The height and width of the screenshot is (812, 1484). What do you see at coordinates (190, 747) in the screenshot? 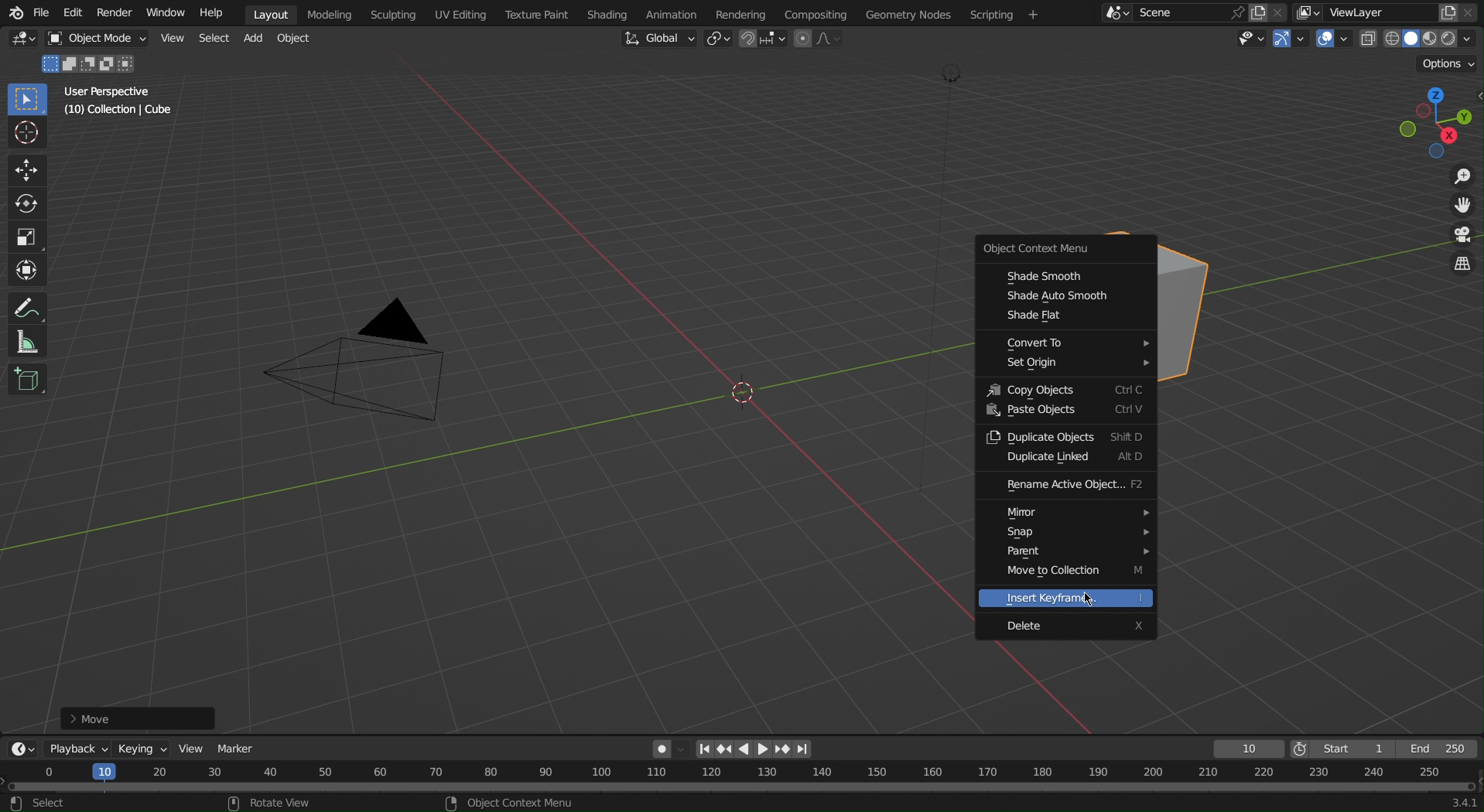
I see `View` at bounding box center [190, 747].